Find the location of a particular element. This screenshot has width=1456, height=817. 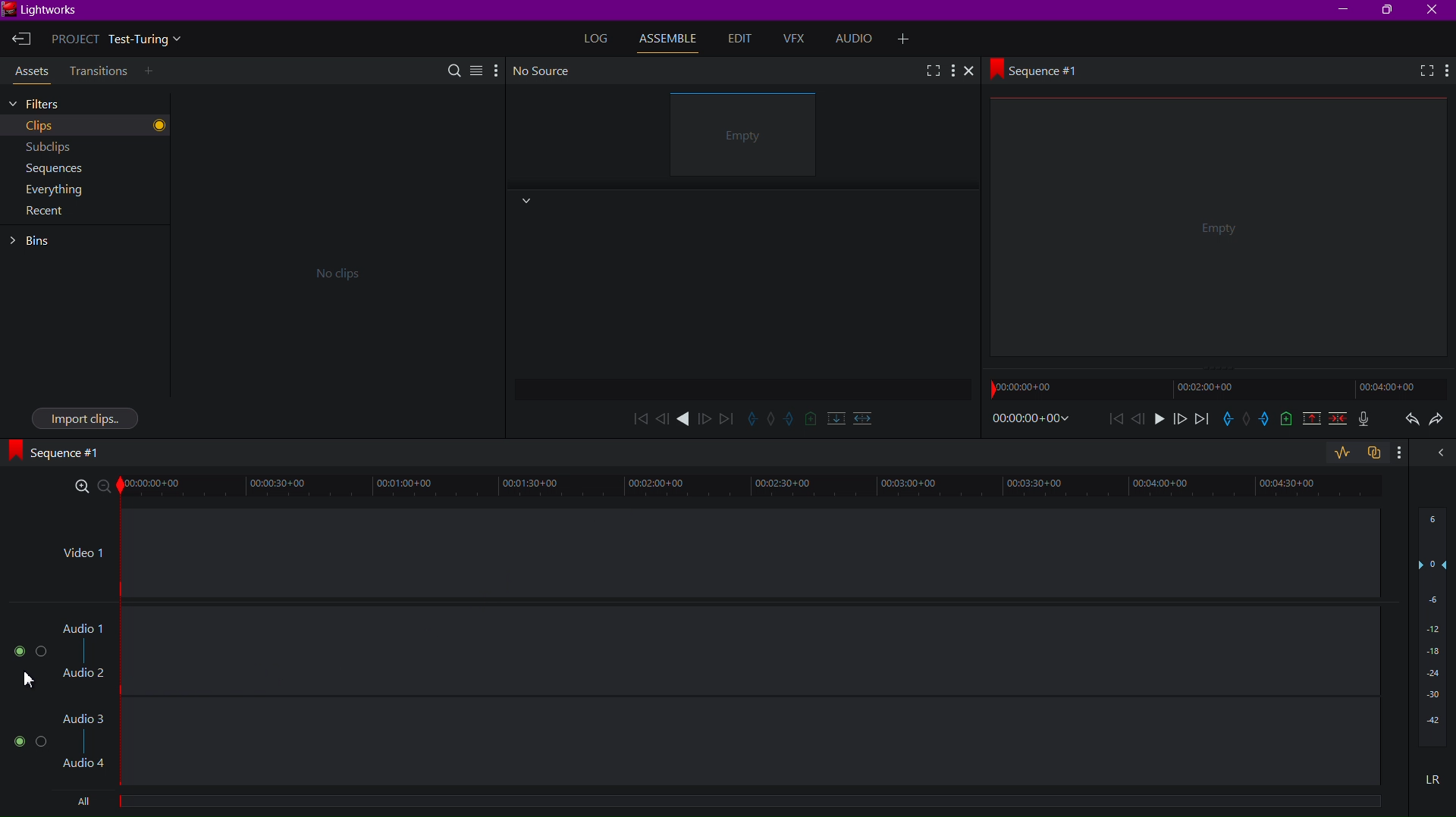

play back is located at coordinates (639, 418).